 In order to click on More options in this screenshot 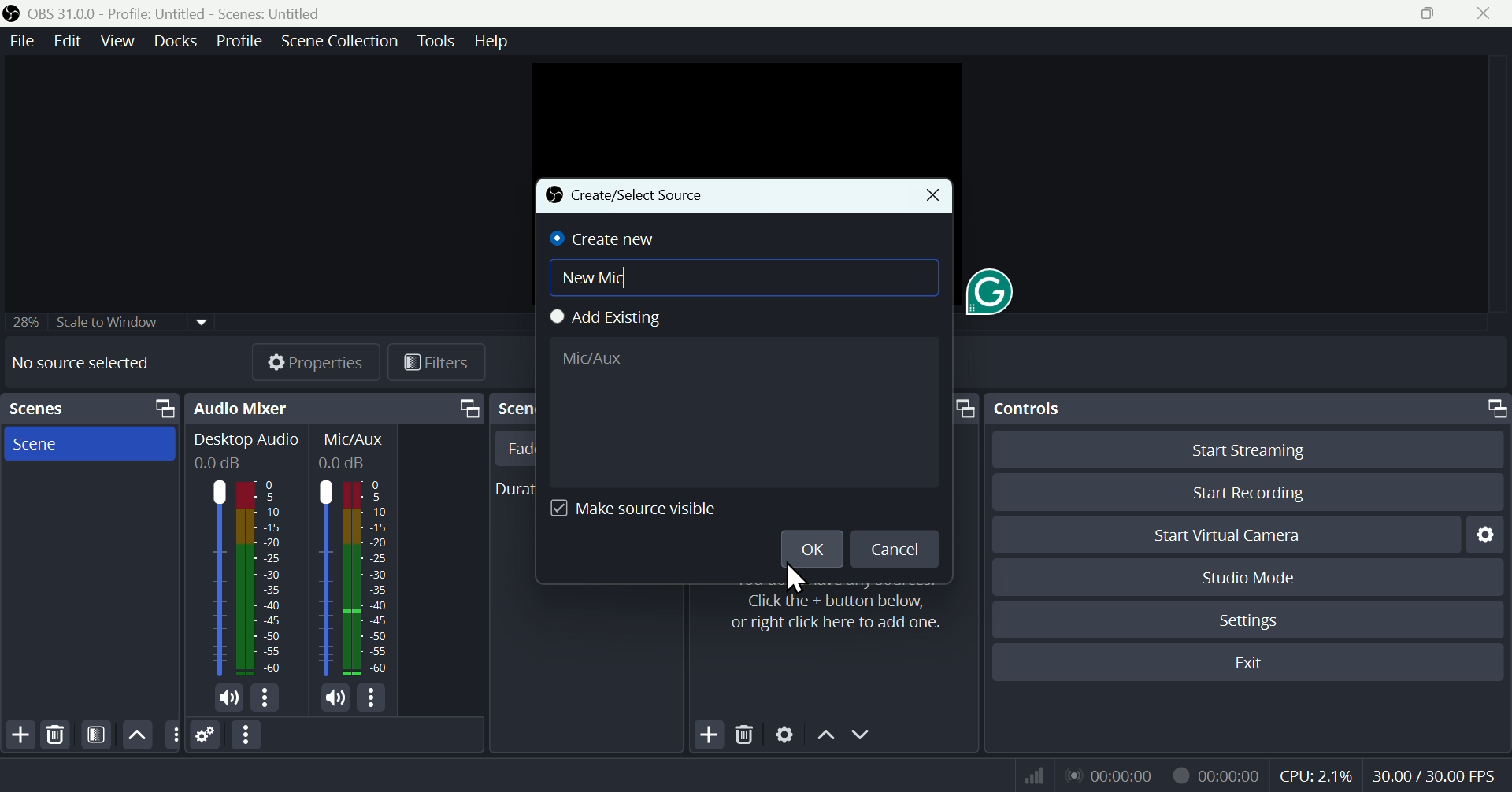, I will do `click(248, 735)`.